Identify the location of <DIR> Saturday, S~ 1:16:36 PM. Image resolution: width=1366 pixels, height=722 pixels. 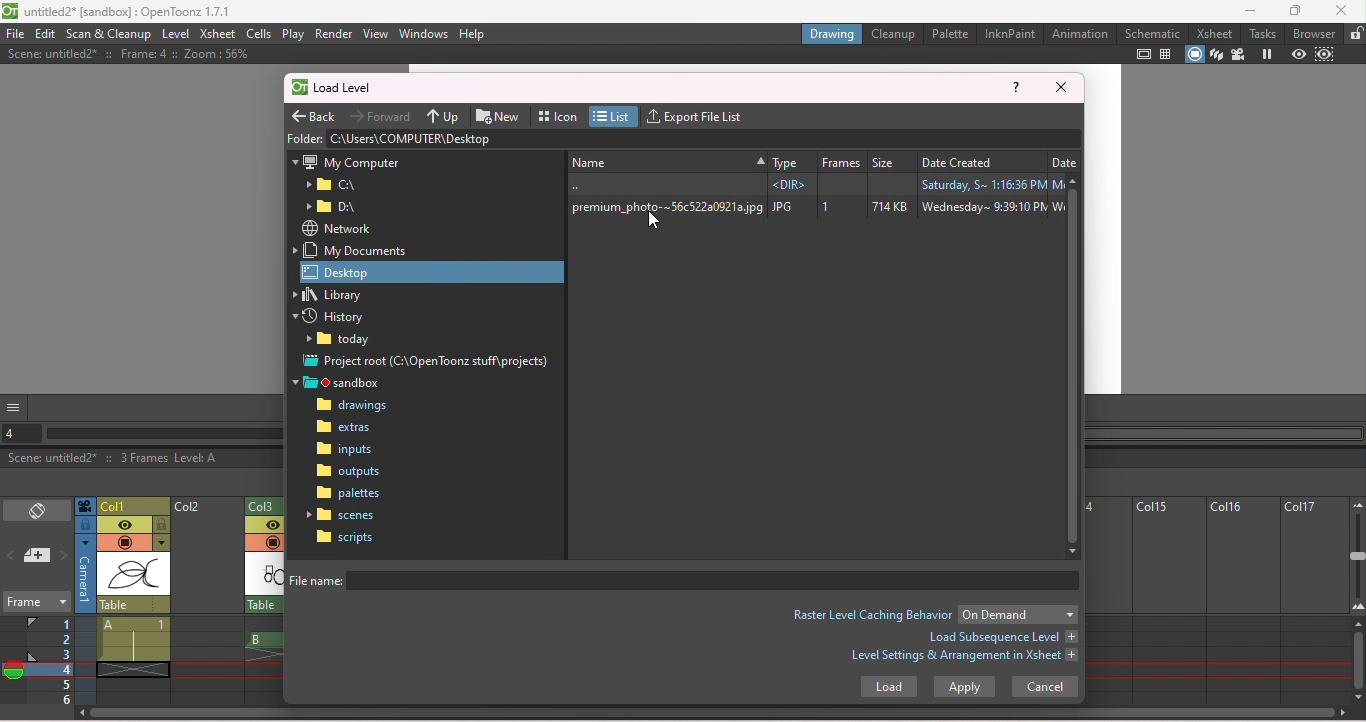
(811, 184).